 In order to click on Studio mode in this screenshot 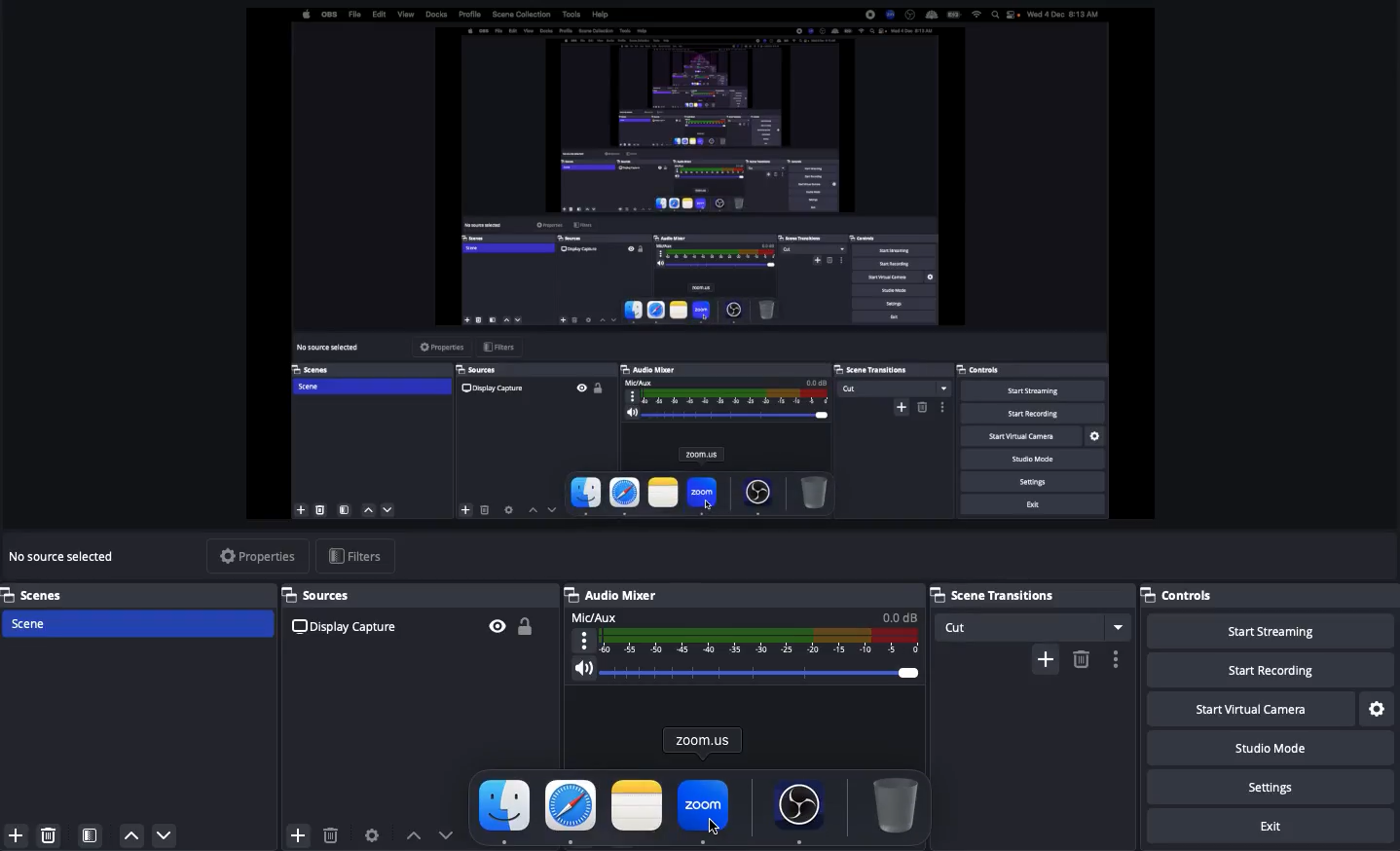, I will do `click(1268, 746)`.